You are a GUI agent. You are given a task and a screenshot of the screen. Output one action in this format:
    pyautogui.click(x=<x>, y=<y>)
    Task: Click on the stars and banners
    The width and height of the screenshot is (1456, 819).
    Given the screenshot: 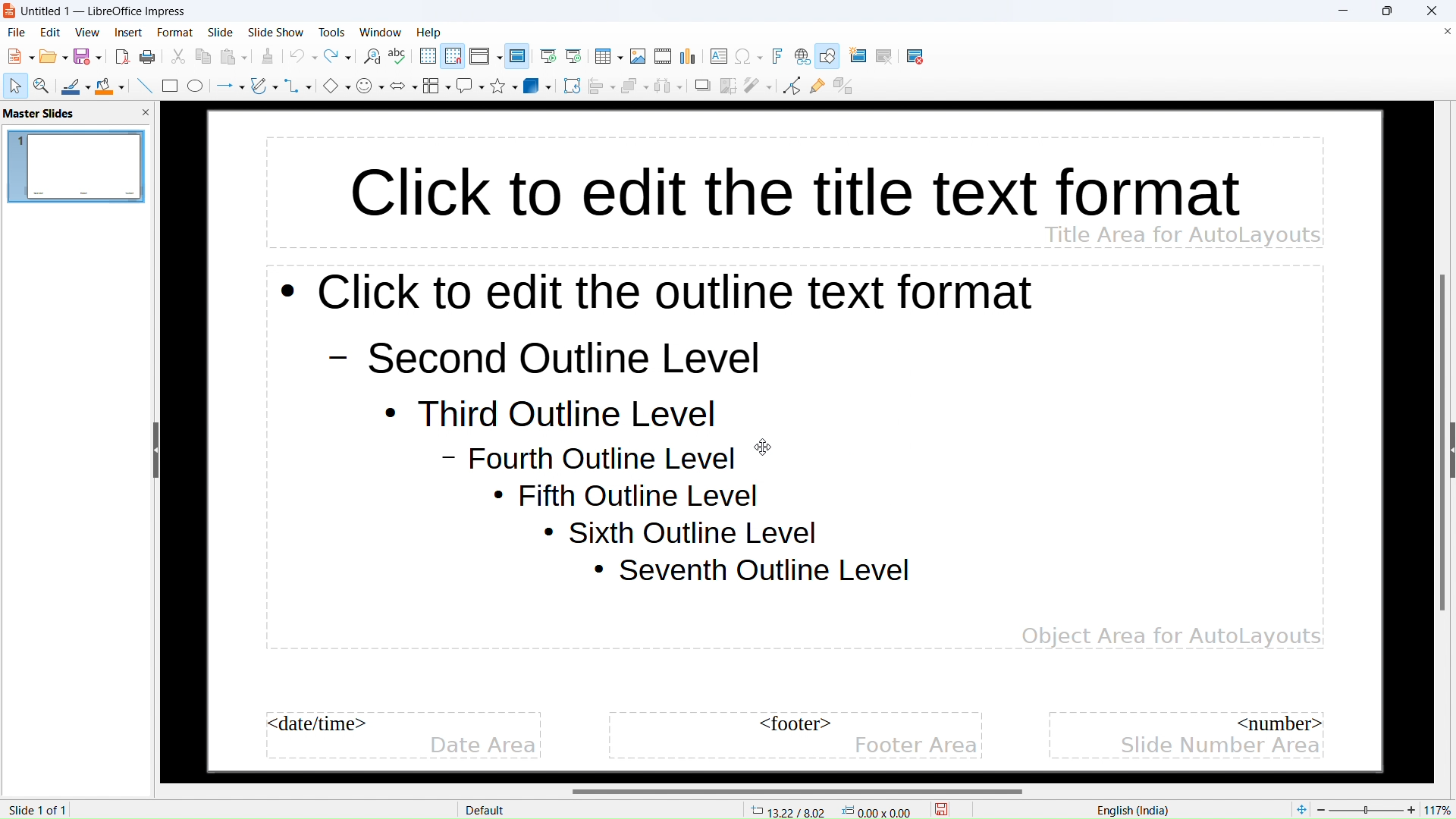 What is the action you would take?
    pyautogui.click(x=504, y=85)
    